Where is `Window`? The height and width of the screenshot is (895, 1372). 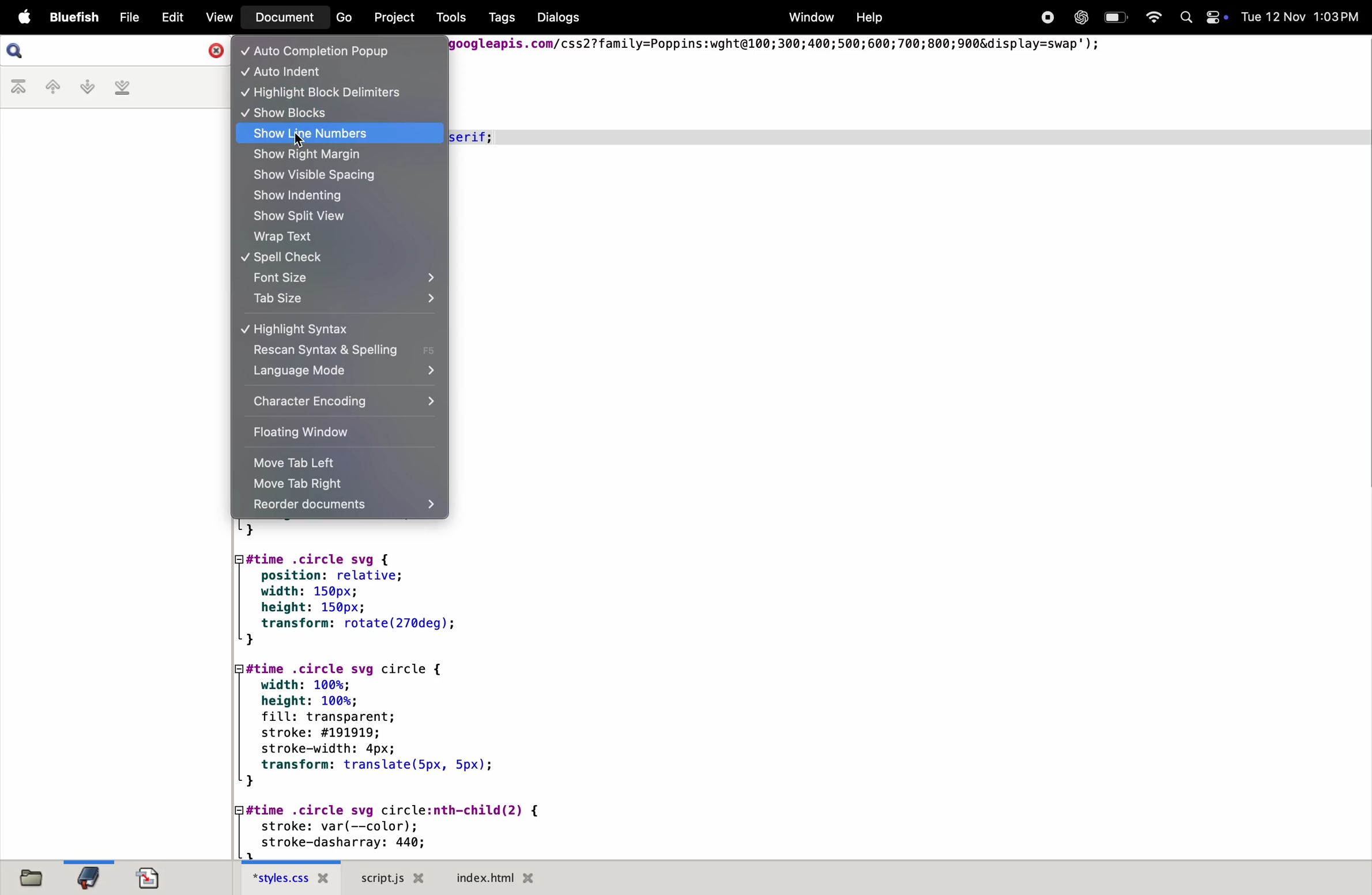 Window is located at coordinates (808, 17).